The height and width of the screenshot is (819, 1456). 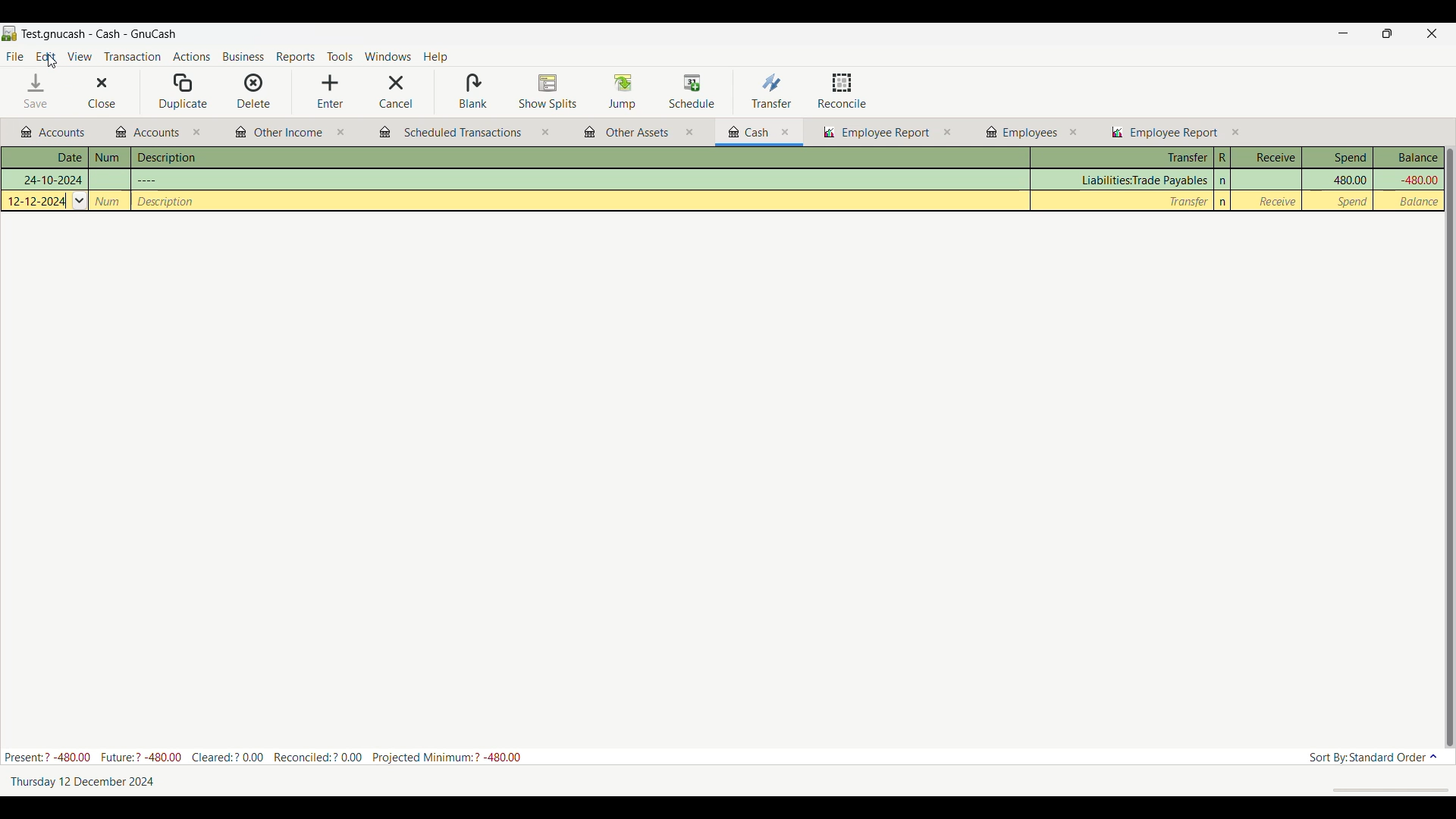 I want to click on Duplicate, so click(x=183, y=92).